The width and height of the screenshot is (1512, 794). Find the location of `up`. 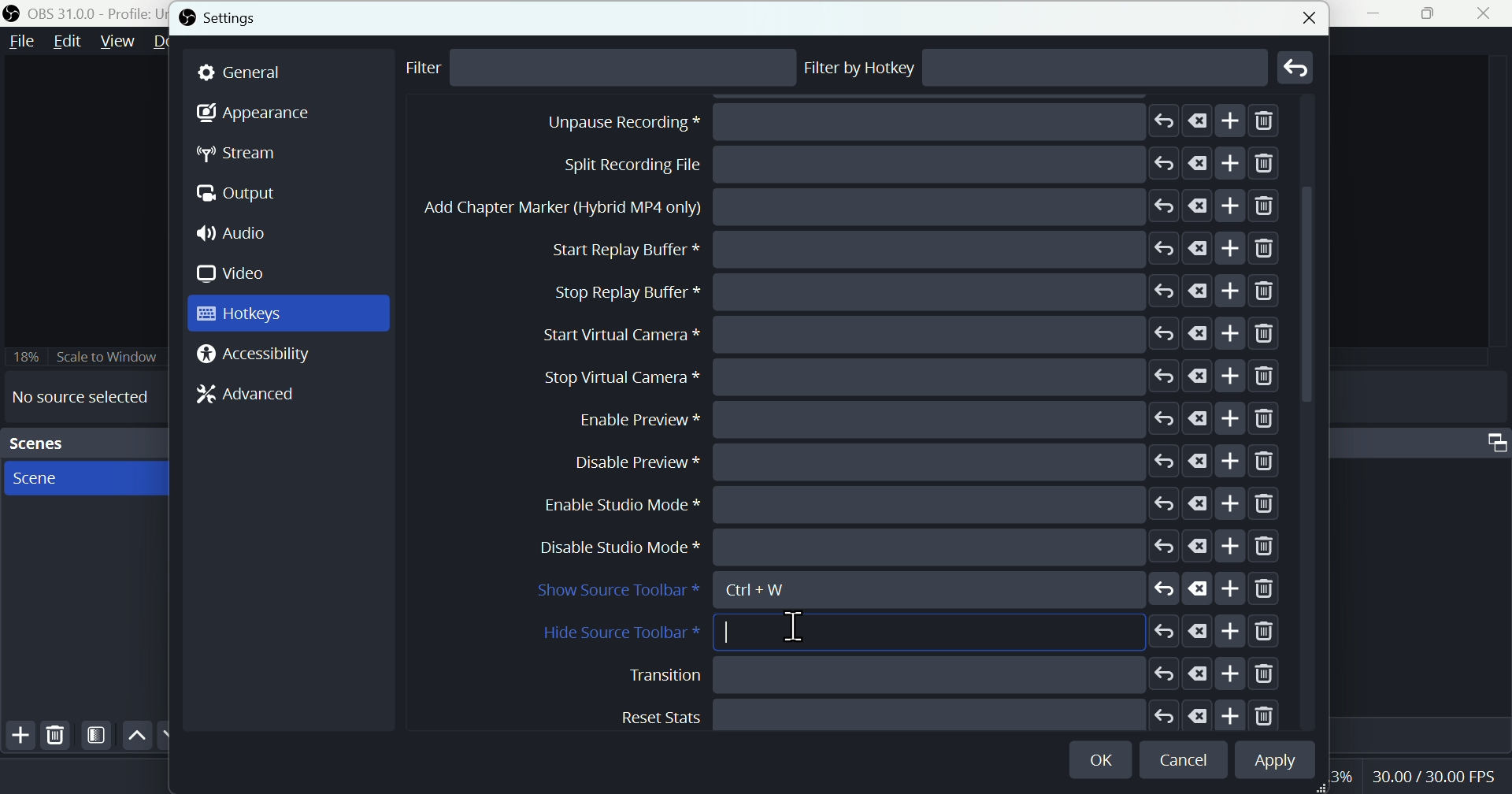

up is located at coordinates (136, 736).